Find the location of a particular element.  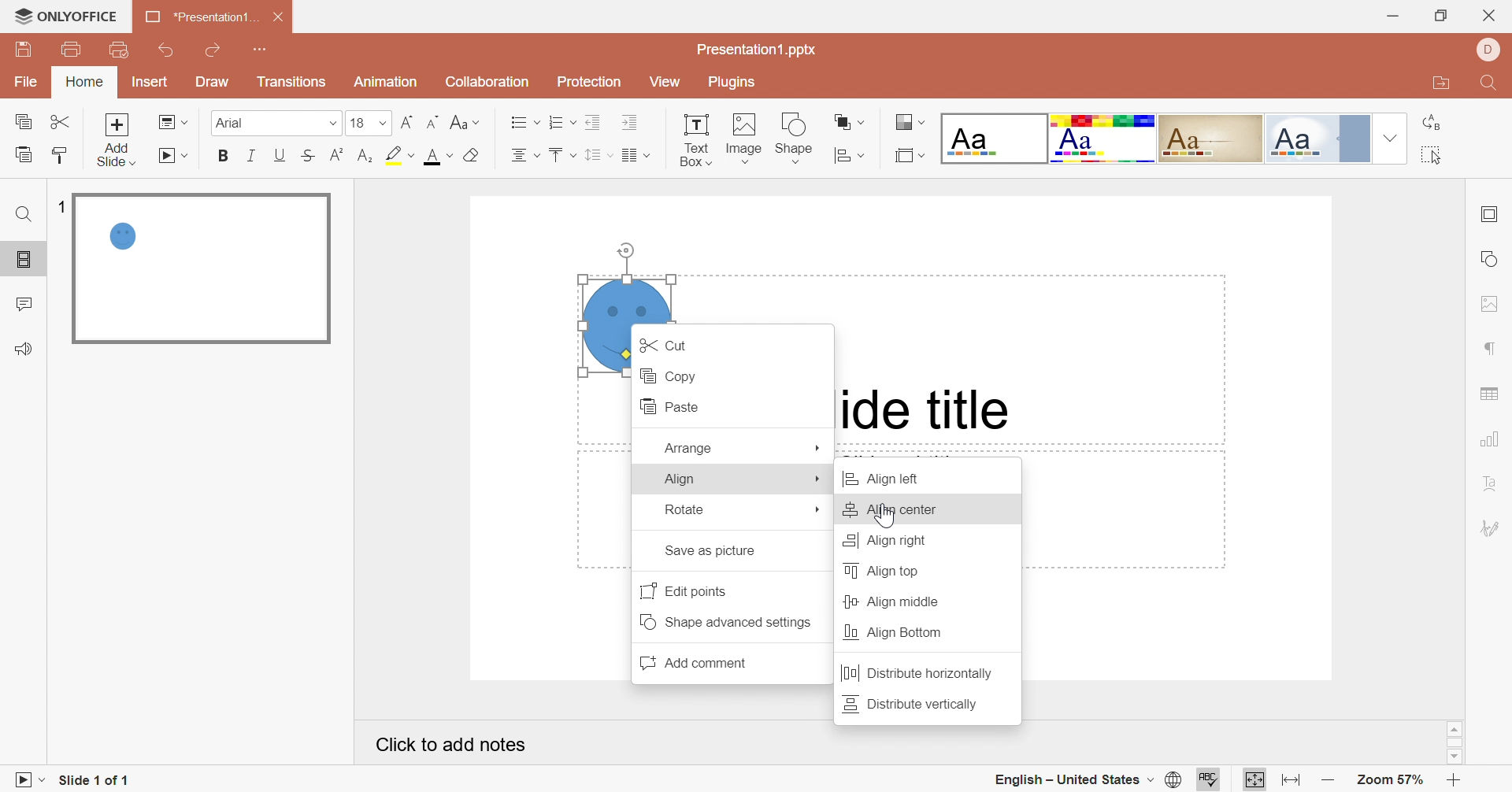

More is located at coordinates (818, 447).